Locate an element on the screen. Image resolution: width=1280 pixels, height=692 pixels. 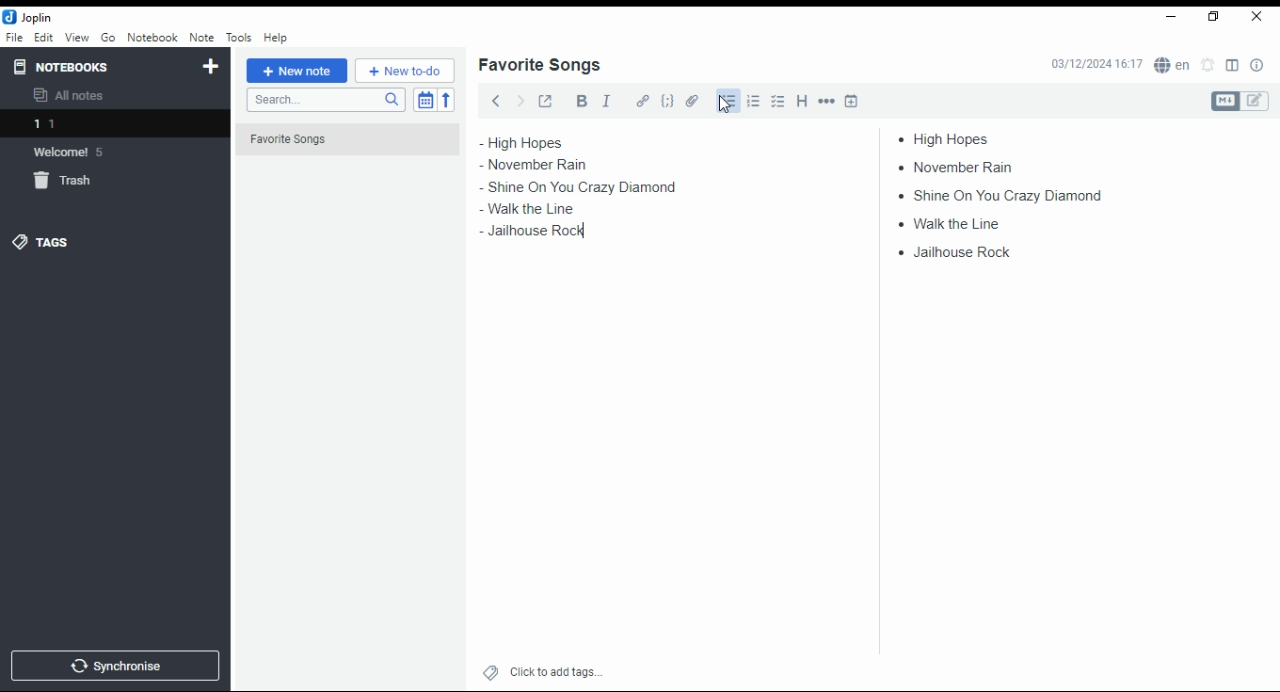
high hopes is located at coordinates (953, 139).